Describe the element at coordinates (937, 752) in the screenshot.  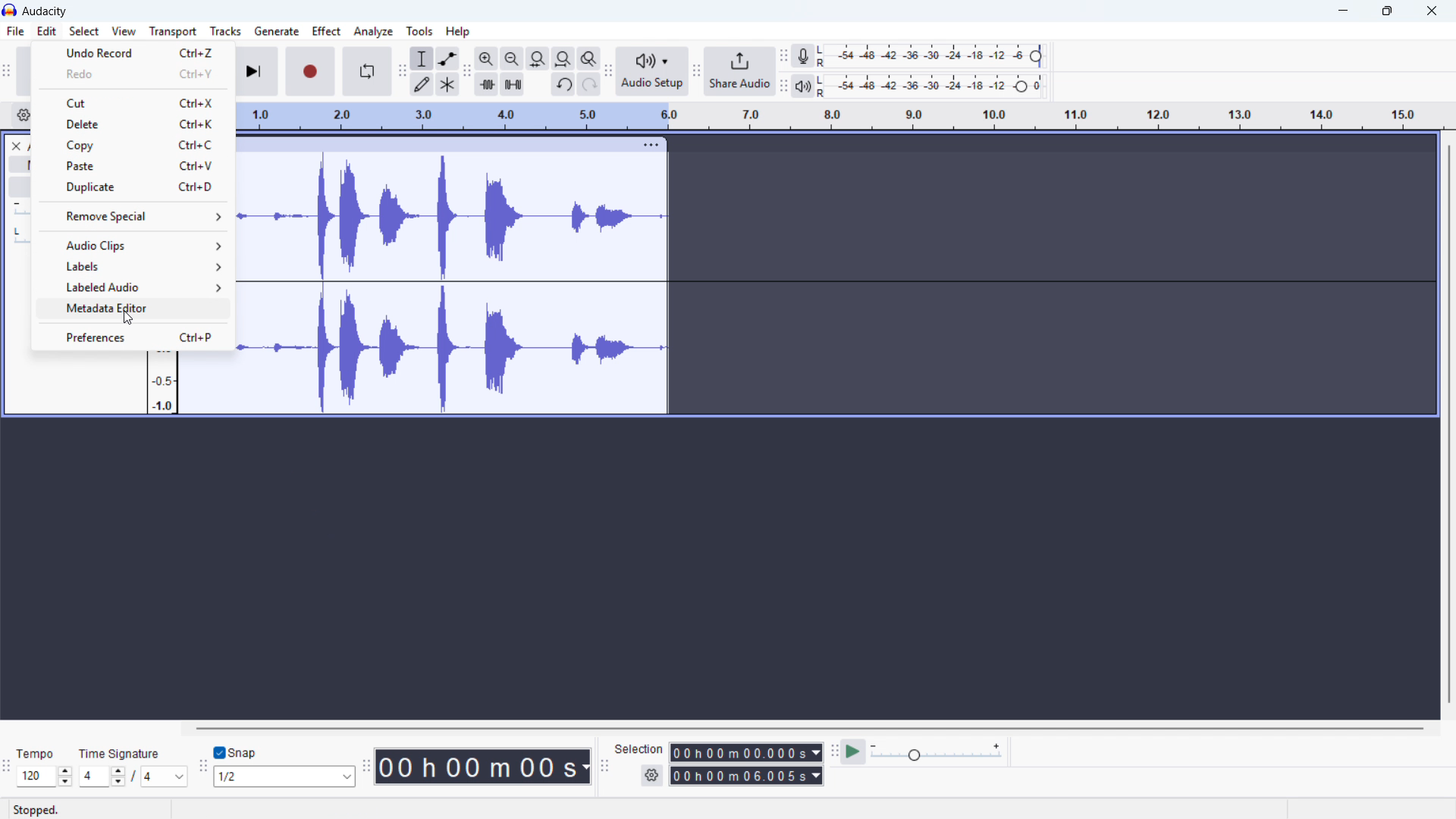
I see `playback speed` at that location.